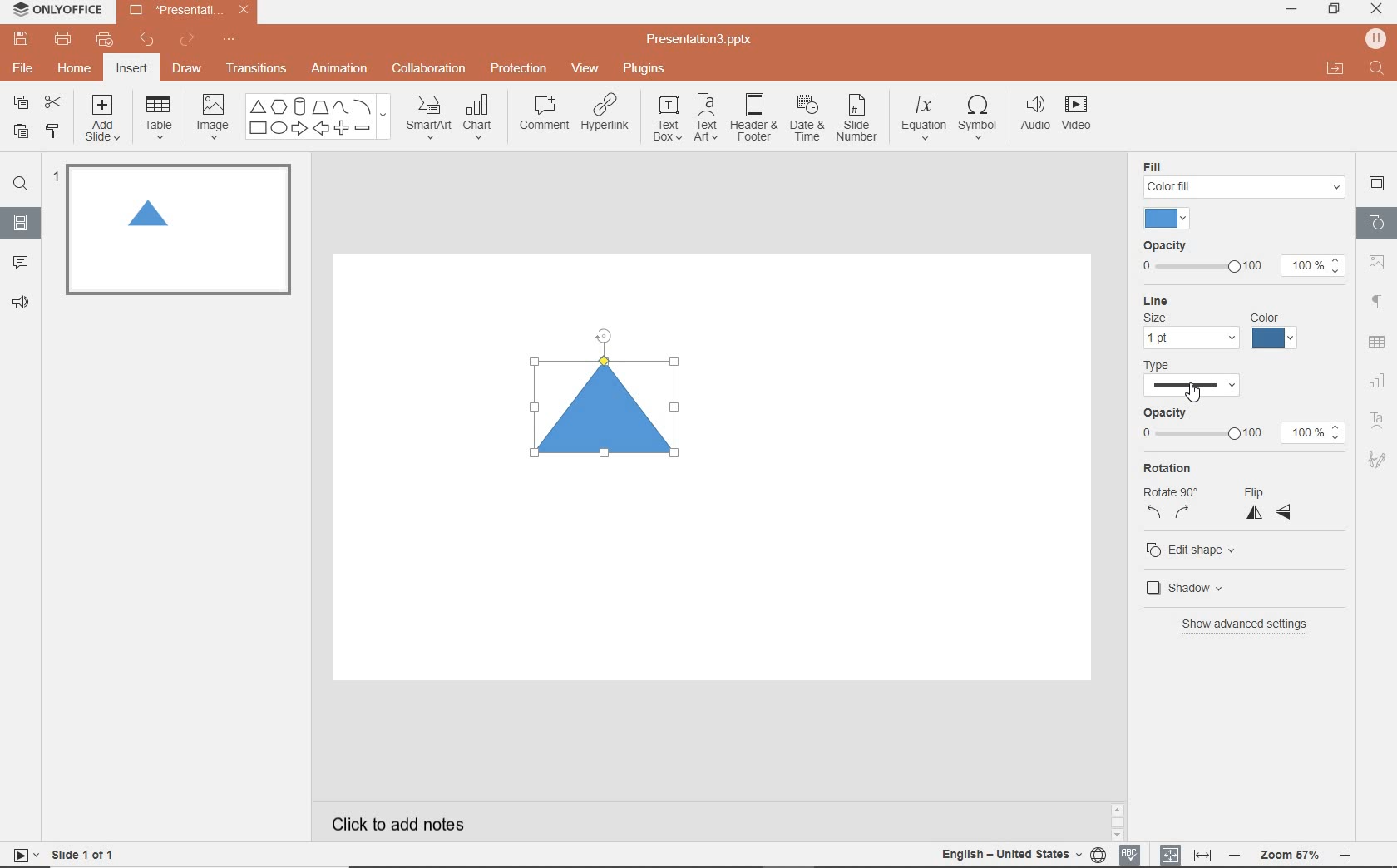  What do you see at coordinates (62, 40) in the screenshot?
I see `PRINT` at bounding box center [62, 40].